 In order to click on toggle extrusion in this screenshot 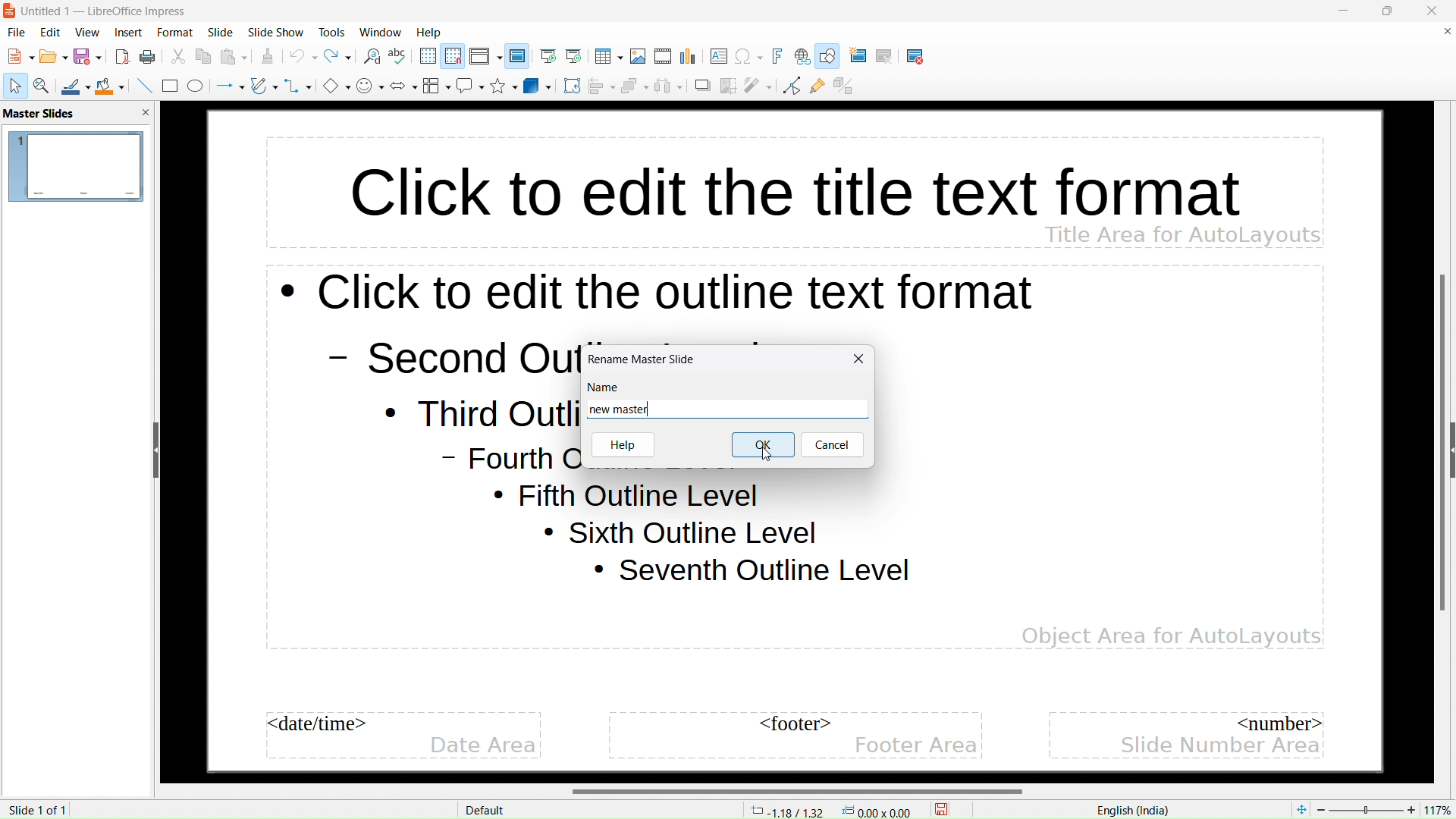, I will do `click(843, 86)`.